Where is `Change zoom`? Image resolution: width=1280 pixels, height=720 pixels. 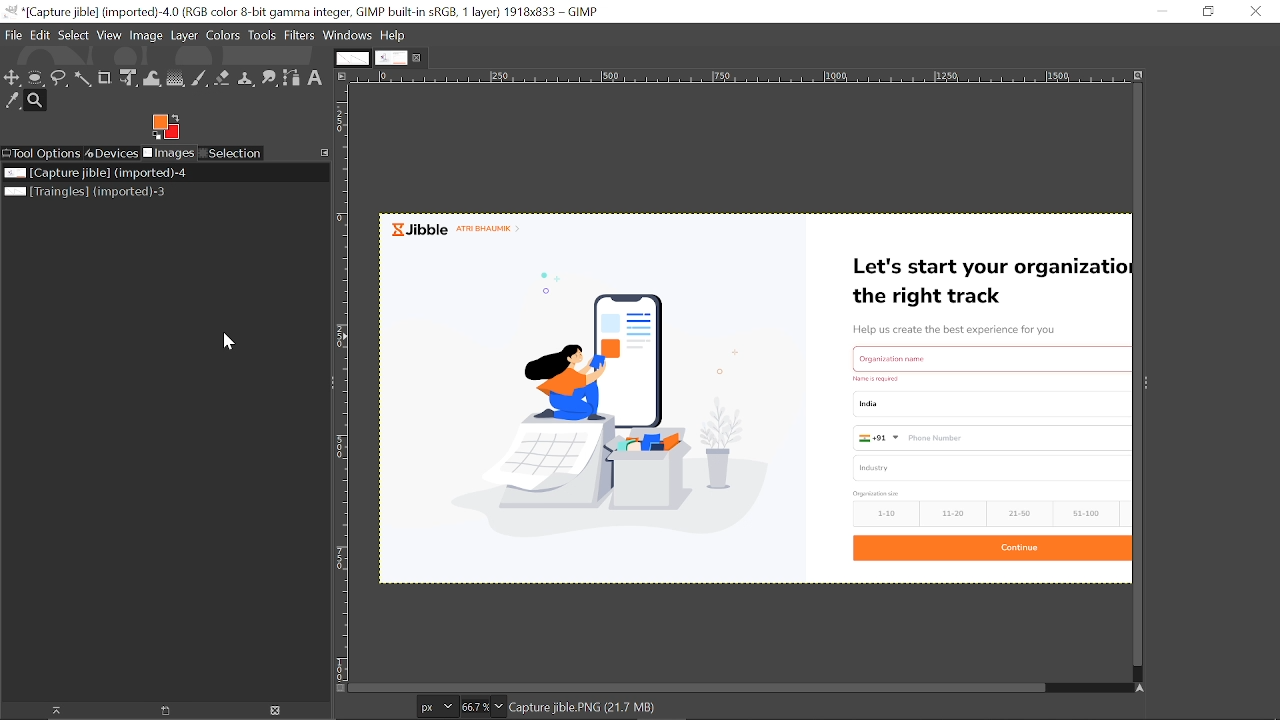
Change zoom is located at coordinates (499, 706).